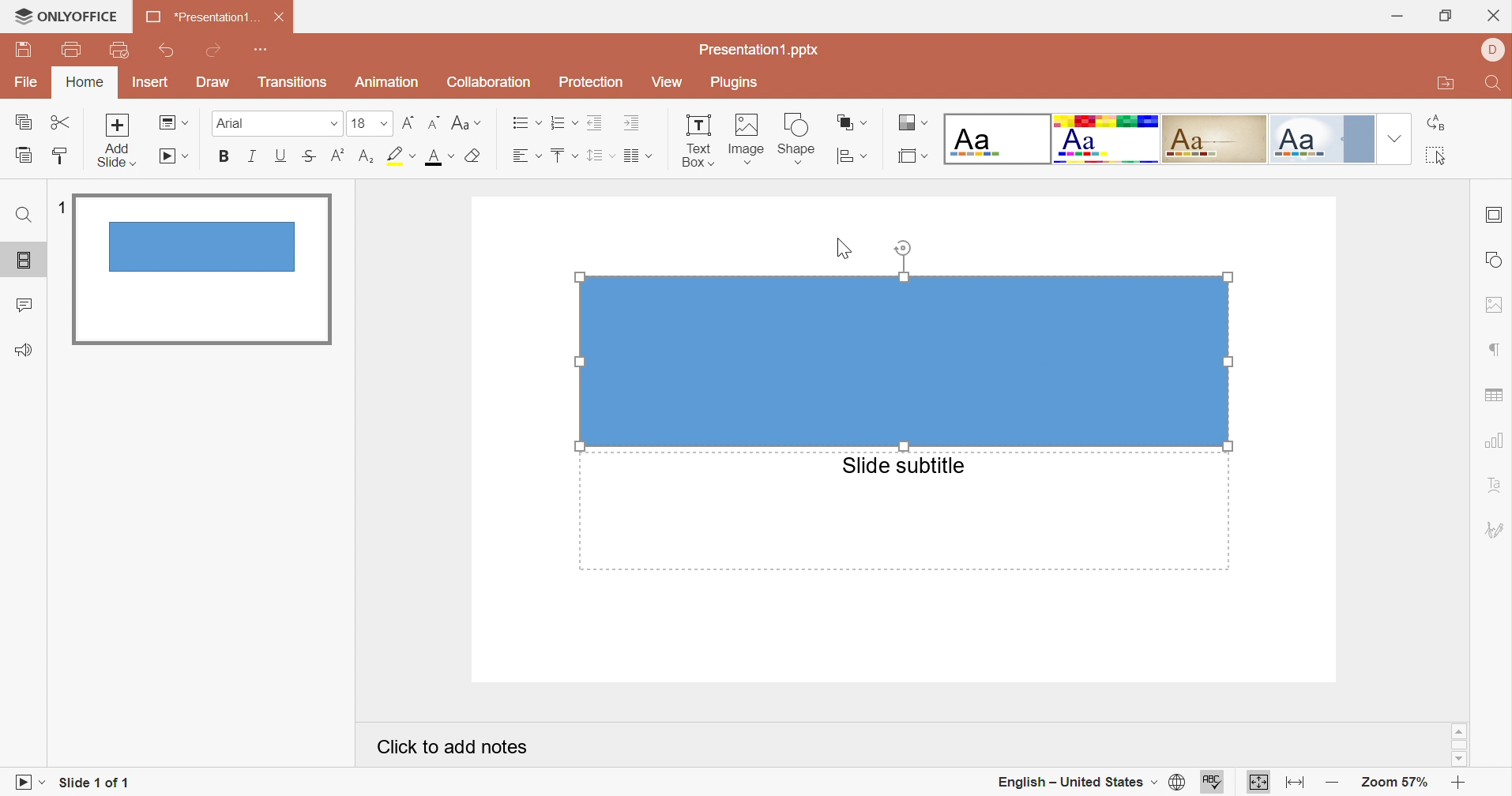 The image size is (1512, 796). I want to click on DELL, so click(1494, 51).